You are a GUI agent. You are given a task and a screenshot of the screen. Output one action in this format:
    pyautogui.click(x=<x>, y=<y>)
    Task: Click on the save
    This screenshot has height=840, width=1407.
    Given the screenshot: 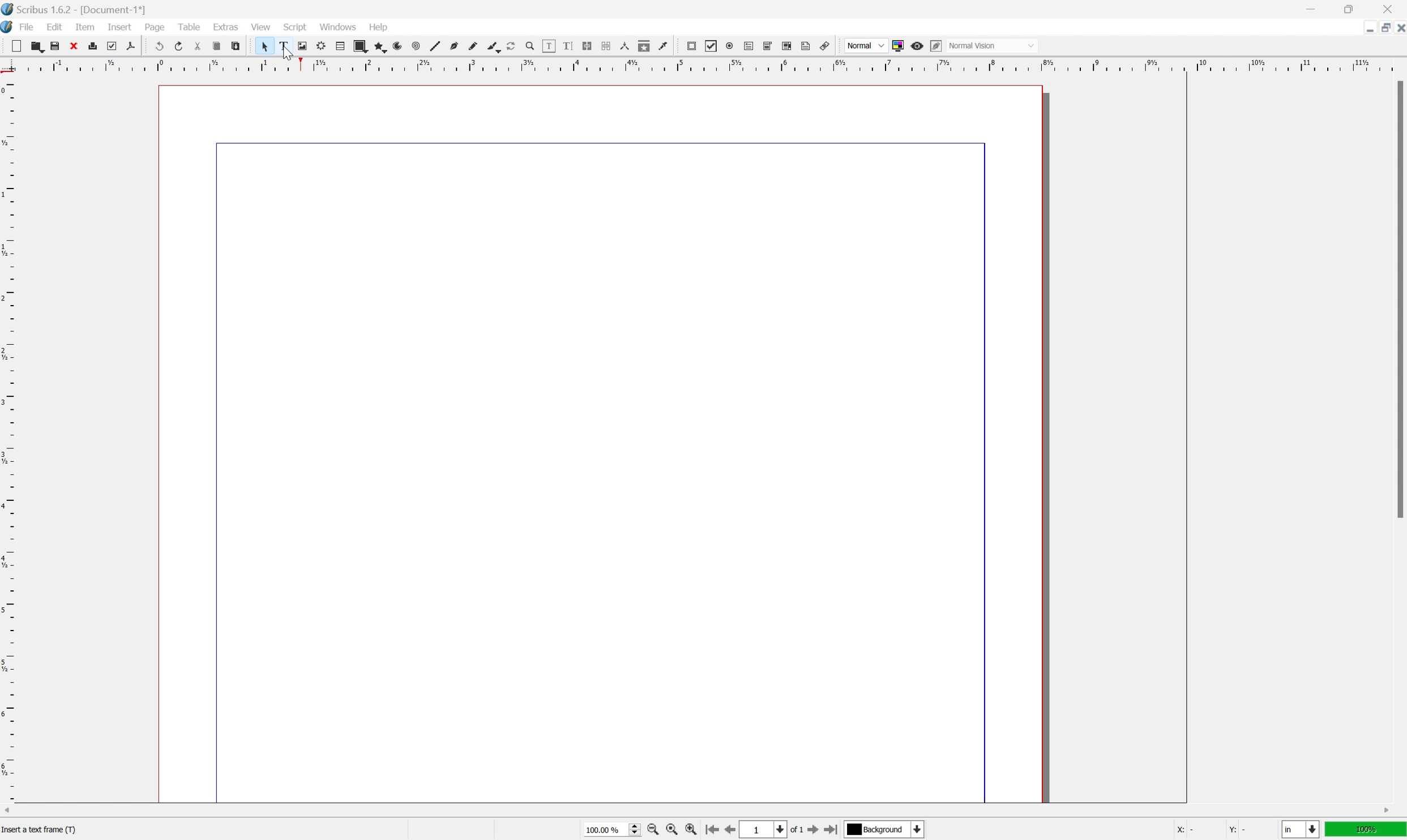 What is the action you would take?
    pyautogui.click(x=55, y=46)
    